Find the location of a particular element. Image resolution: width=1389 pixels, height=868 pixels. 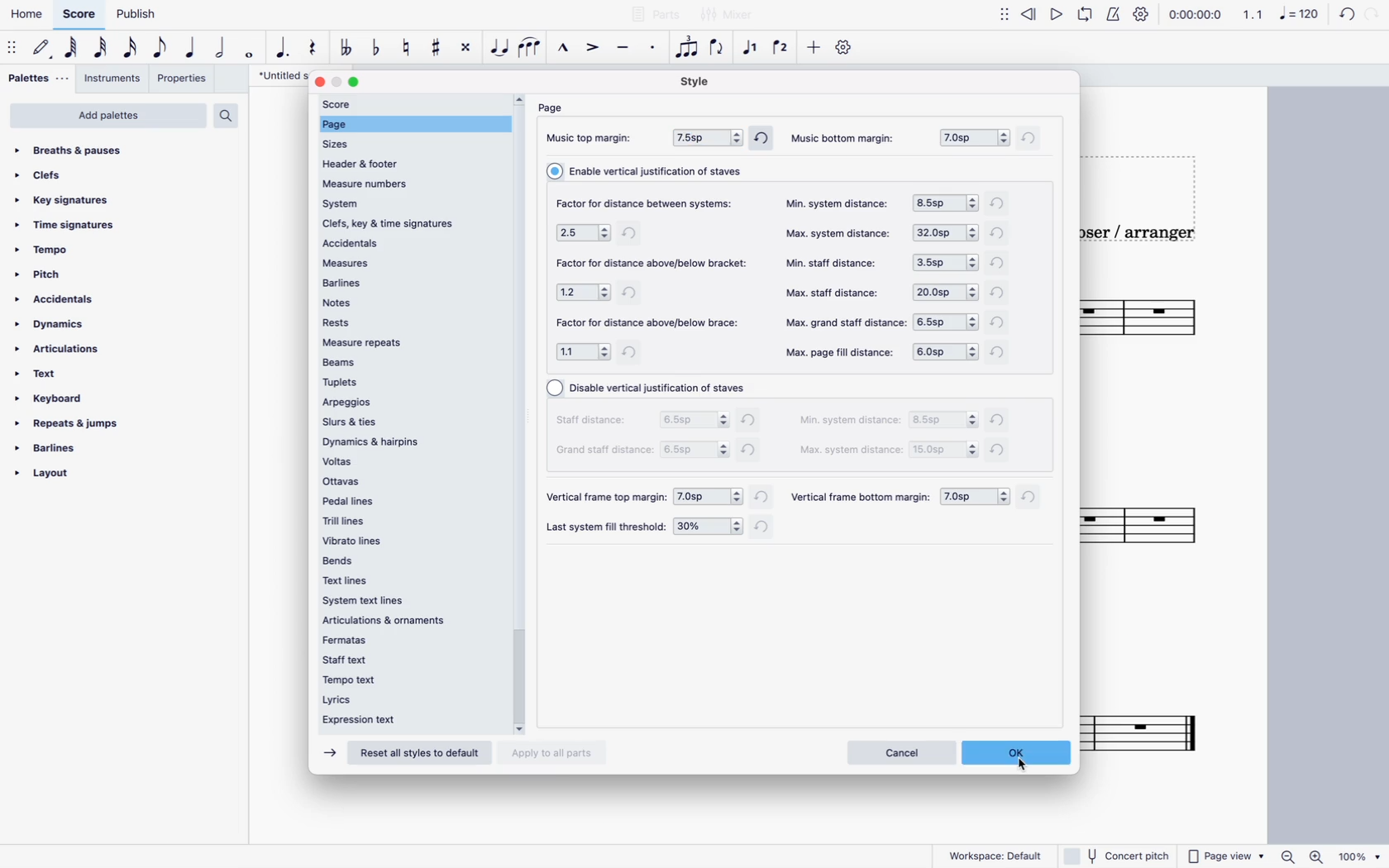

bottom margin is located at coordinates (972, 136).